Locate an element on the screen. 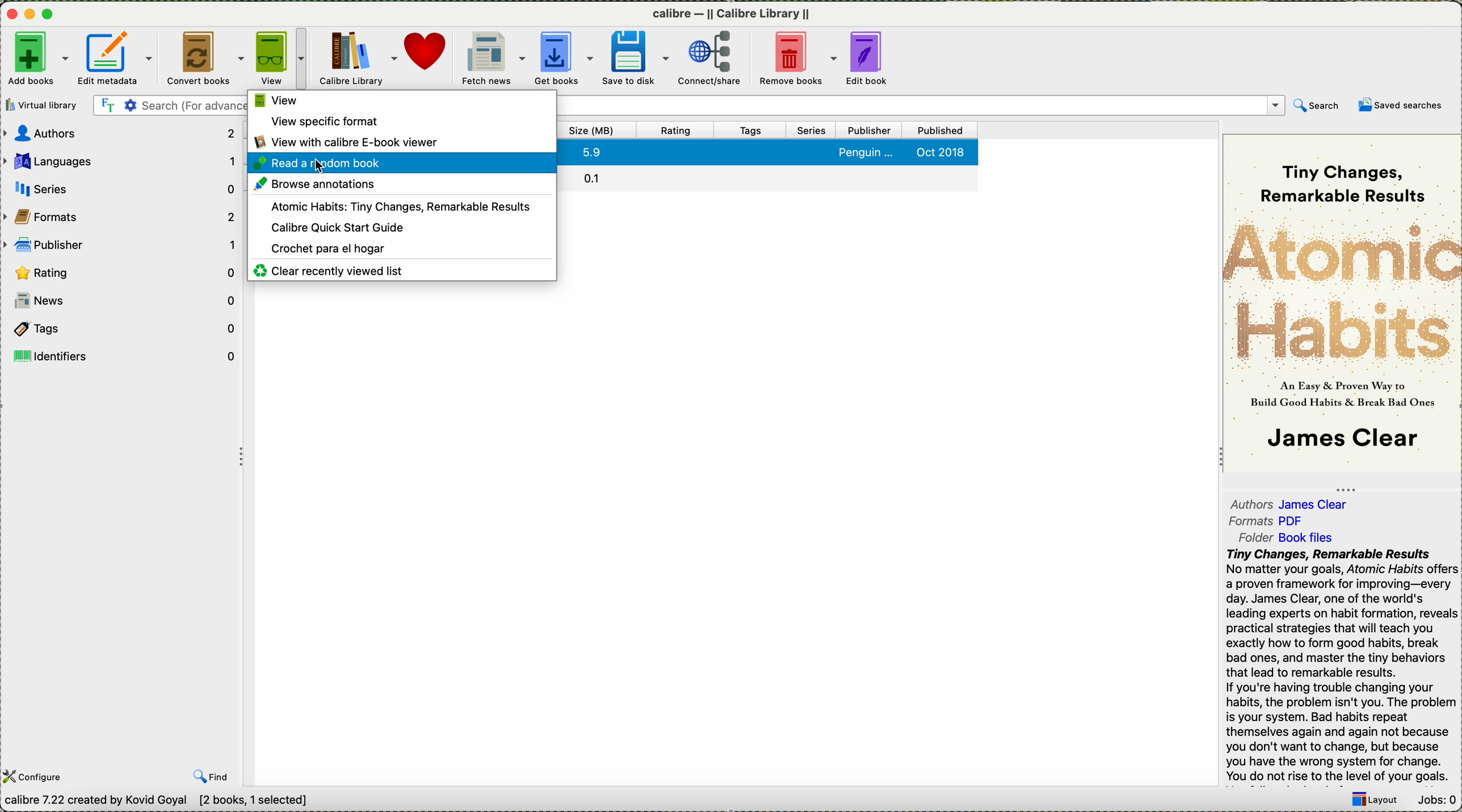  find is located at coordinates (213, 777).